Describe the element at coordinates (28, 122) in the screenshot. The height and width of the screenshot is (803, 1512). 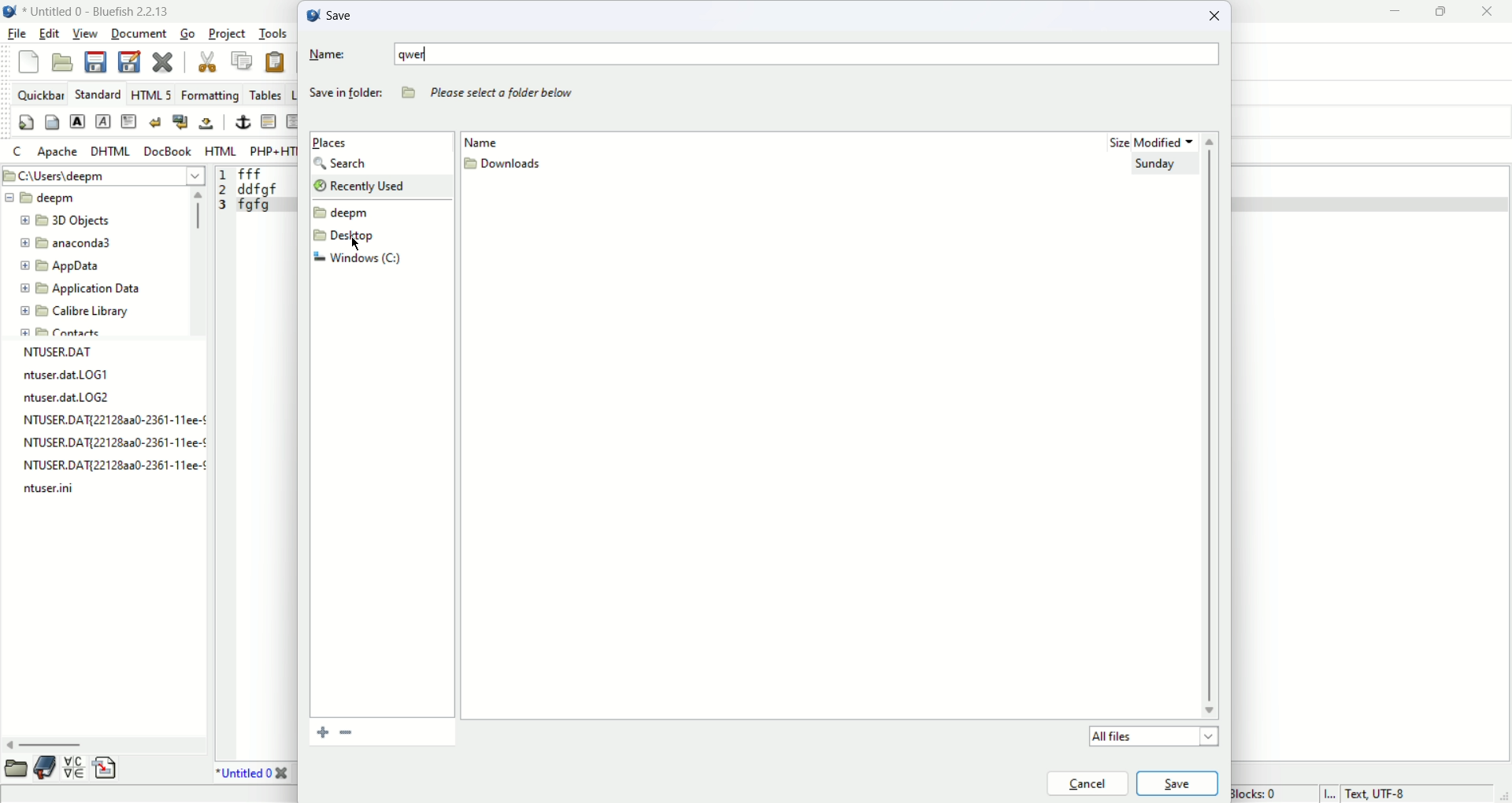
I see `quickstart` at that location.